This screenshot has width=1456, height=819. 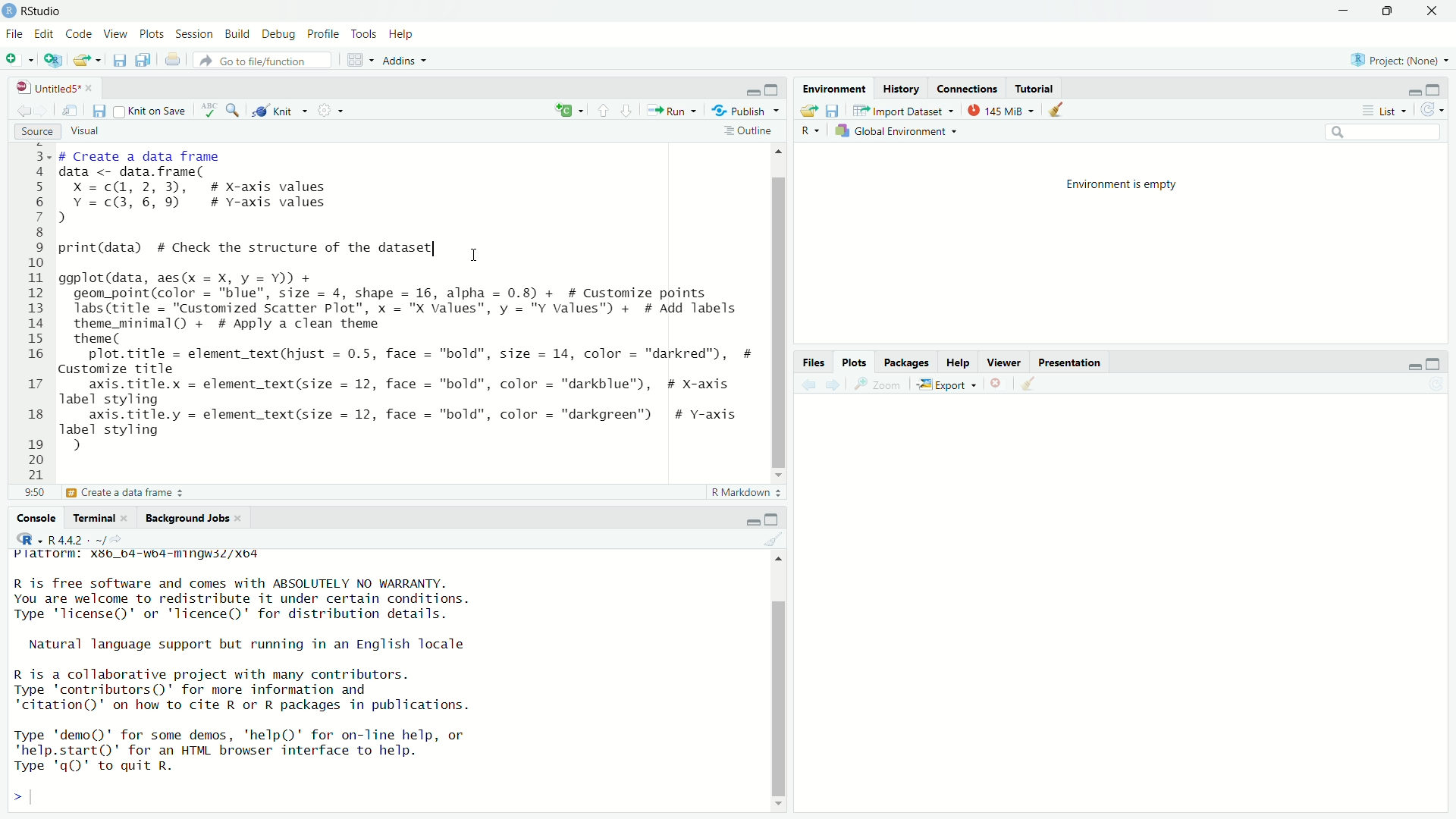 What do you see at coordinates (997, 385) in the screenshot?
I see `delete selected files or folder` at bounding box center [997, 385].